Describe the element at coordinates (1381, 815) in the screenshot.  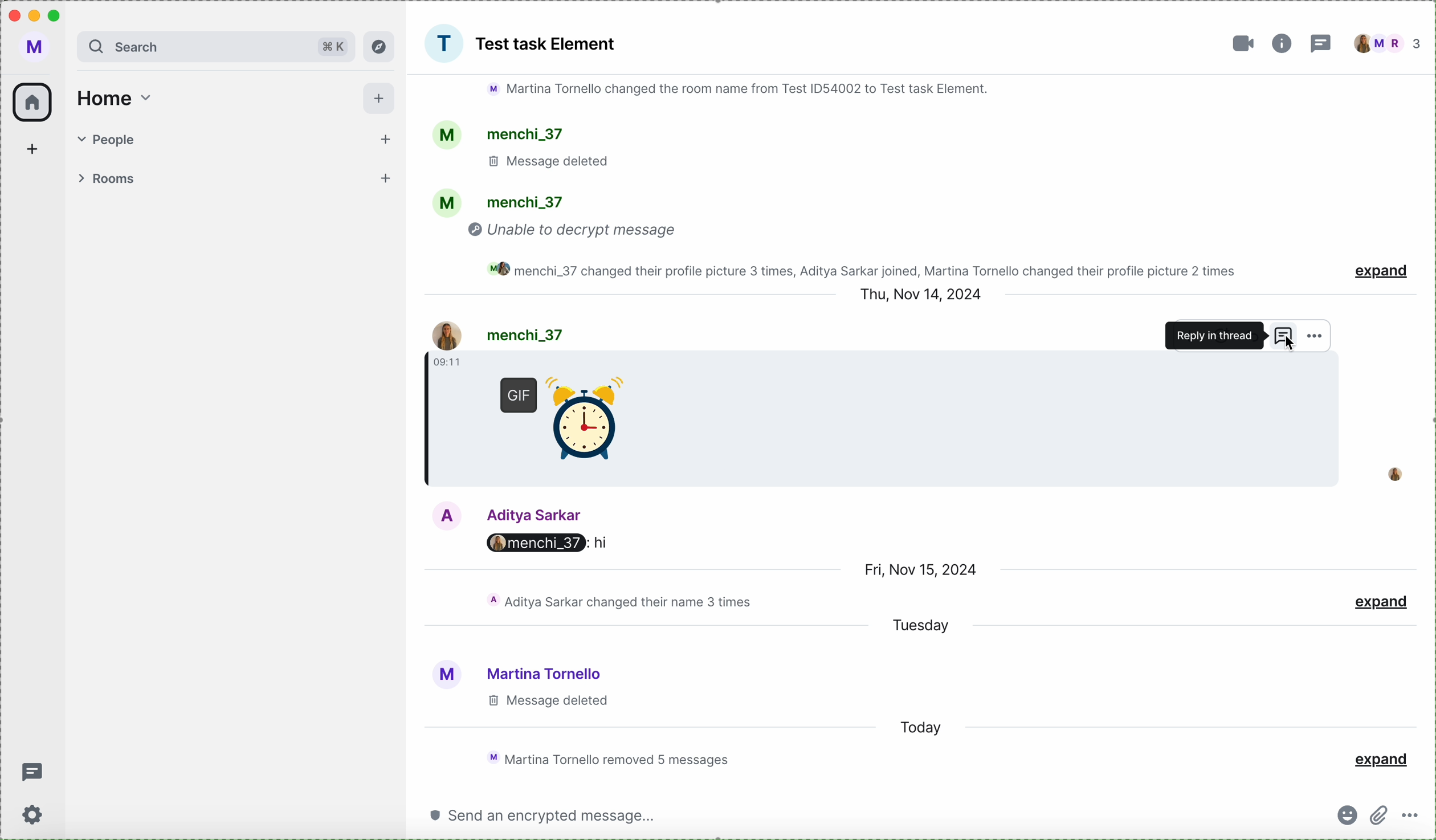
I see `attach files` at that location.